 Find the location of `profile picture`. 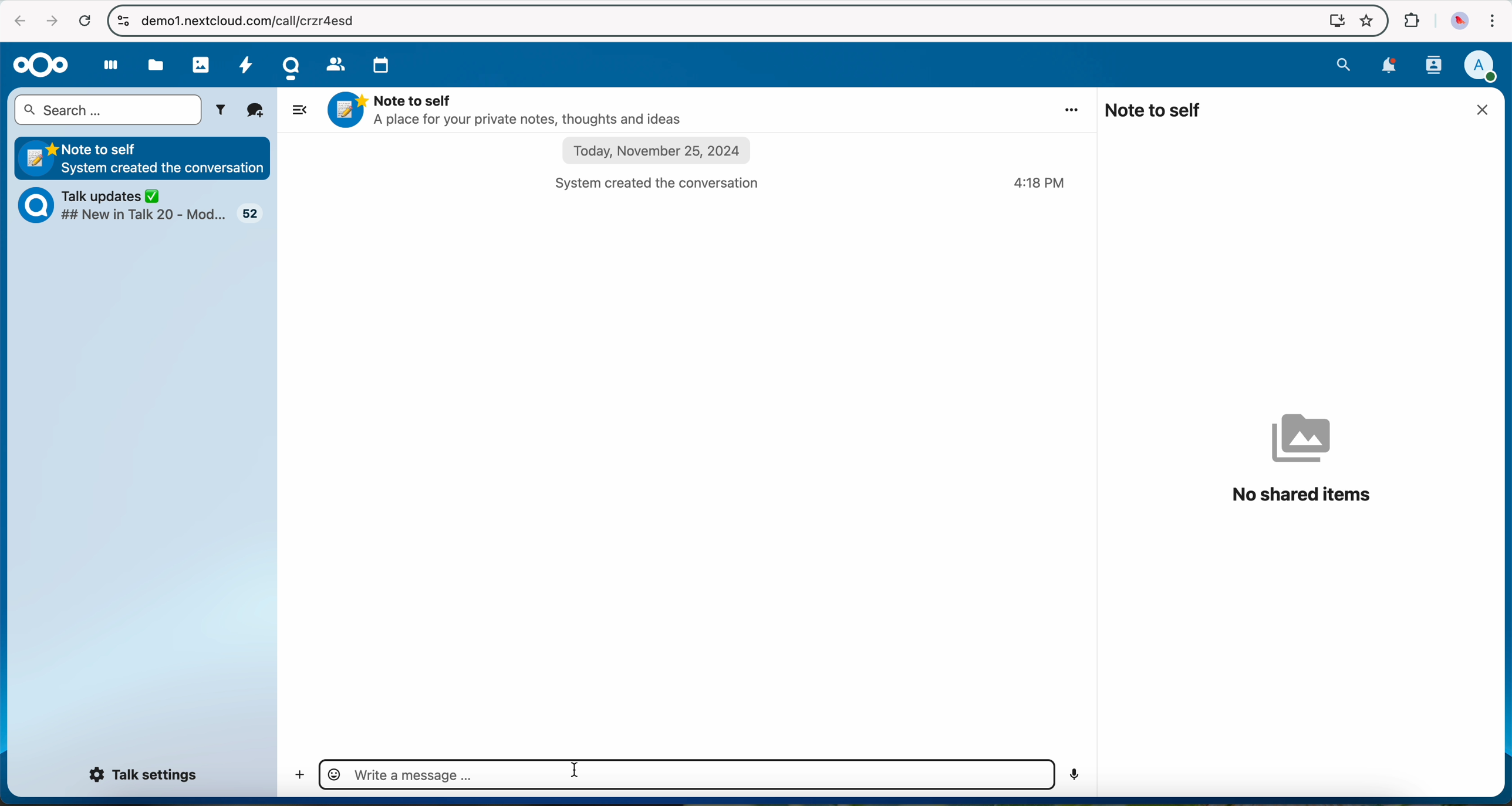

profile picture is located at coordinates (1456, 21).